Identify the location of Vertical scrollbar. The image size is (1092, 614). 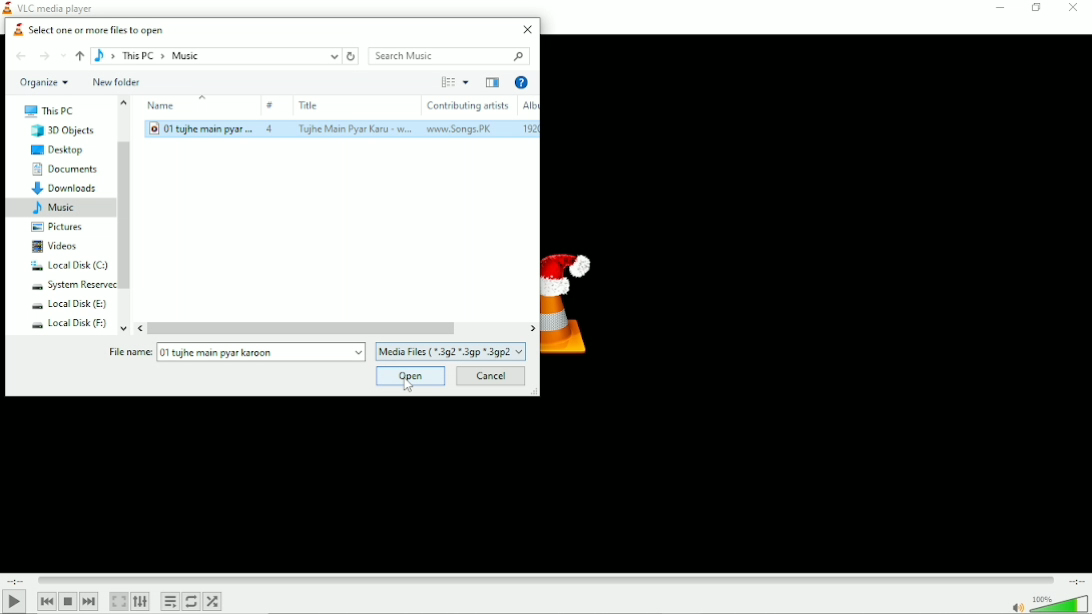
(125, 216).